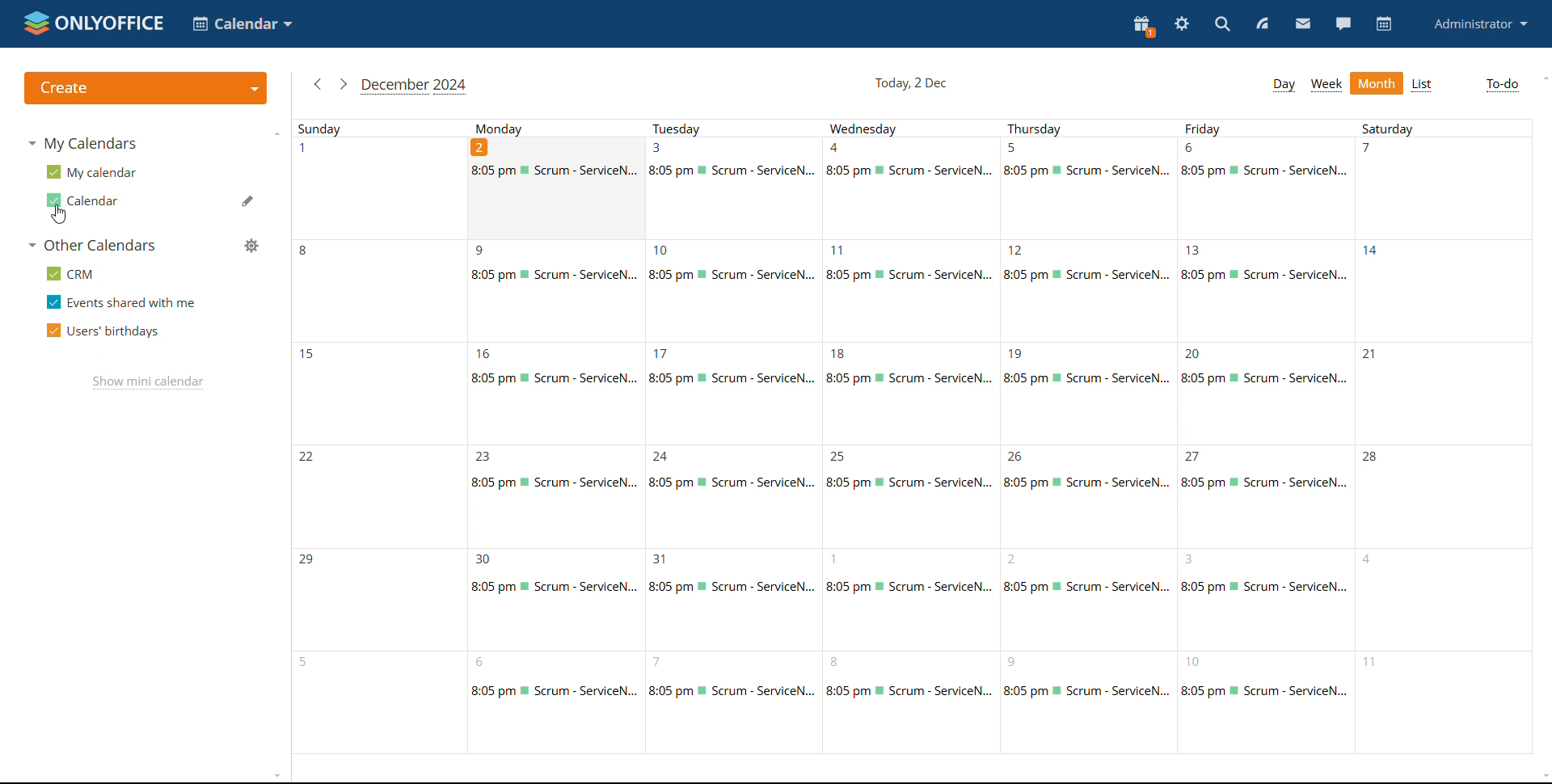  Describe the element at coordinates (1284, 85) in the screenshot. I see `day view` at that location.